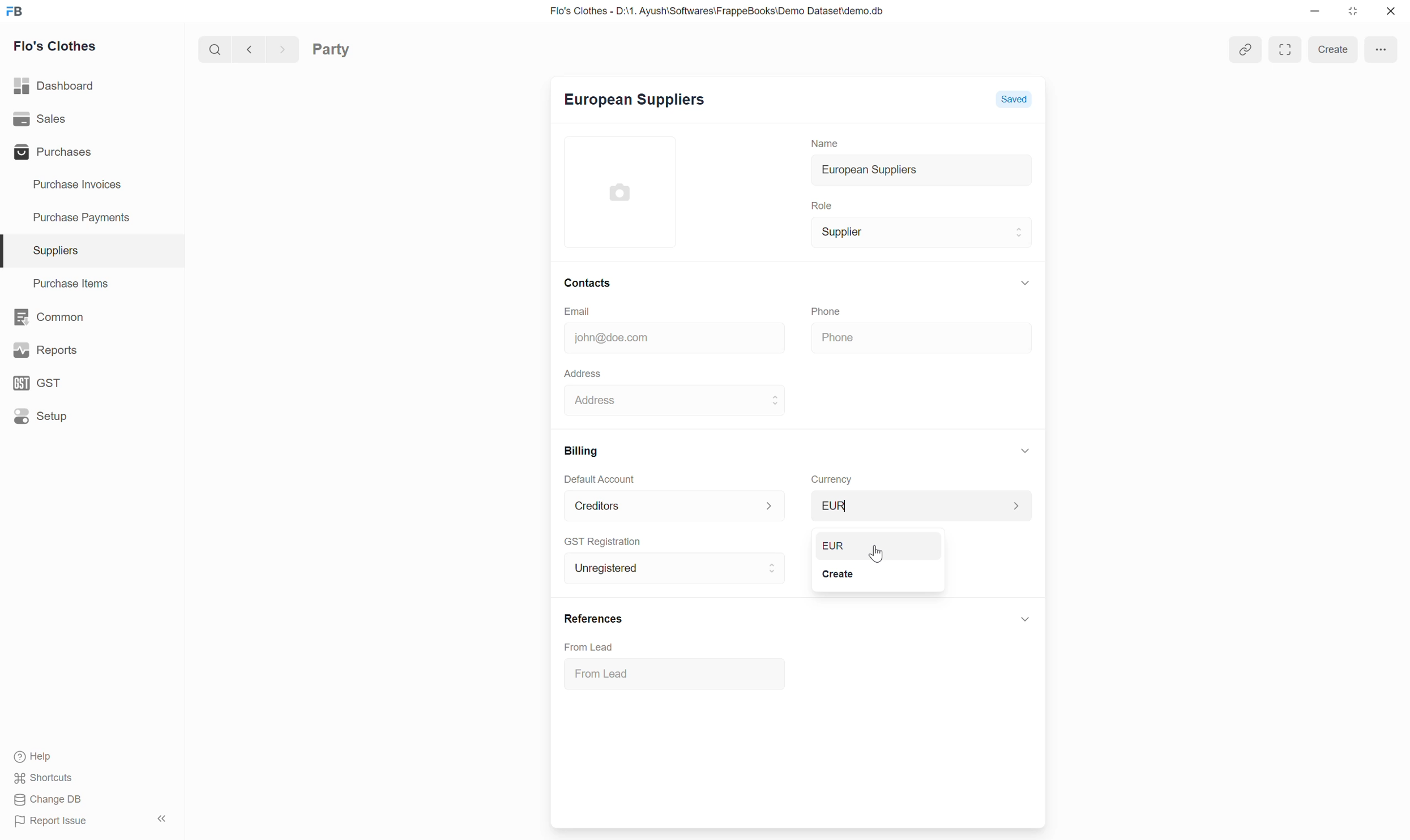  What do you see at coordinates (834, 546) in the screenshot?
I see `EUR` at bounding box center [834, 546].